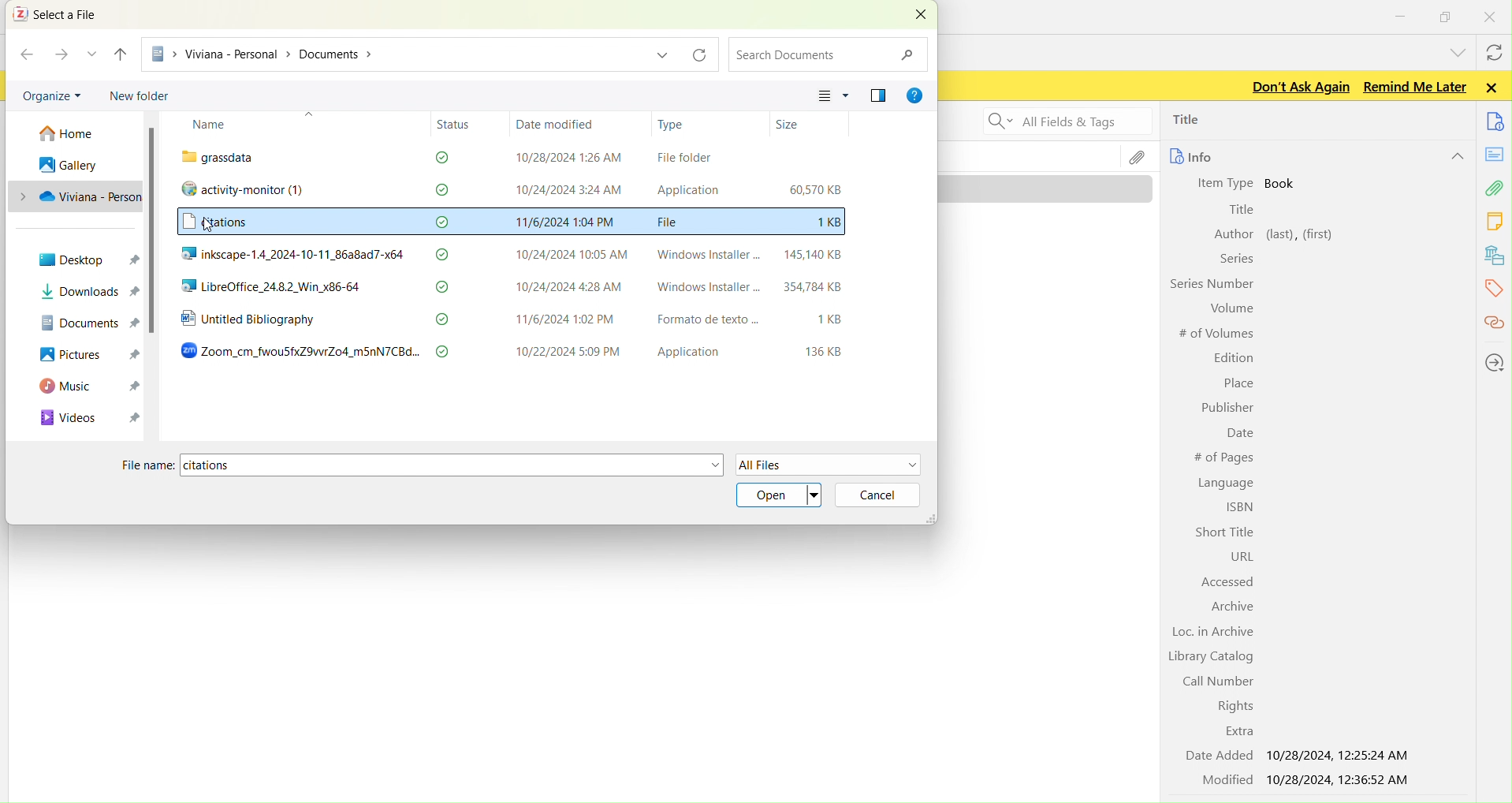  I want to click on SHOW THE PREVIEW PANE, so click(879, 95).